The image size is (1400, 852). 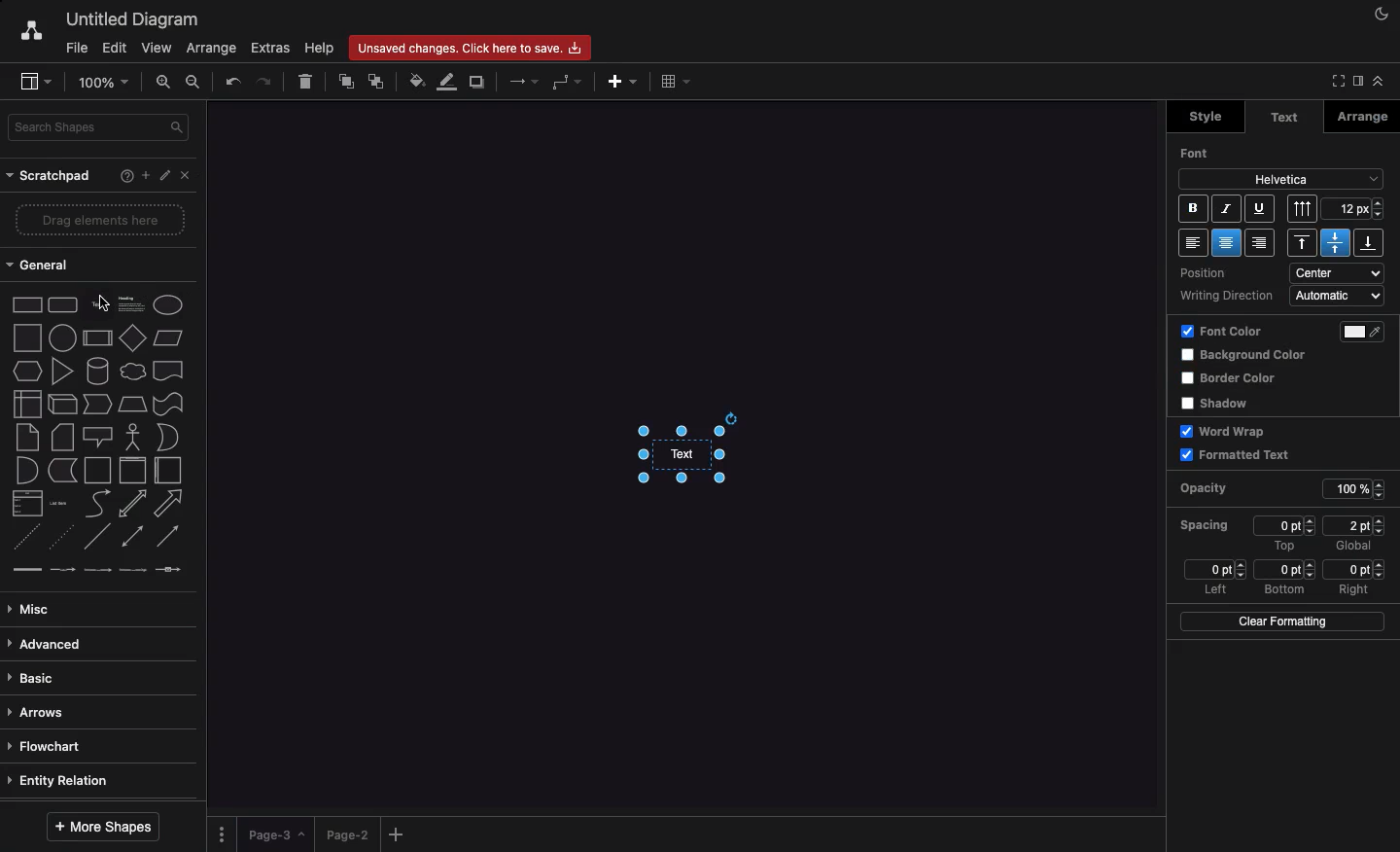 I want to click on Left, so click(x=1214, y=590).